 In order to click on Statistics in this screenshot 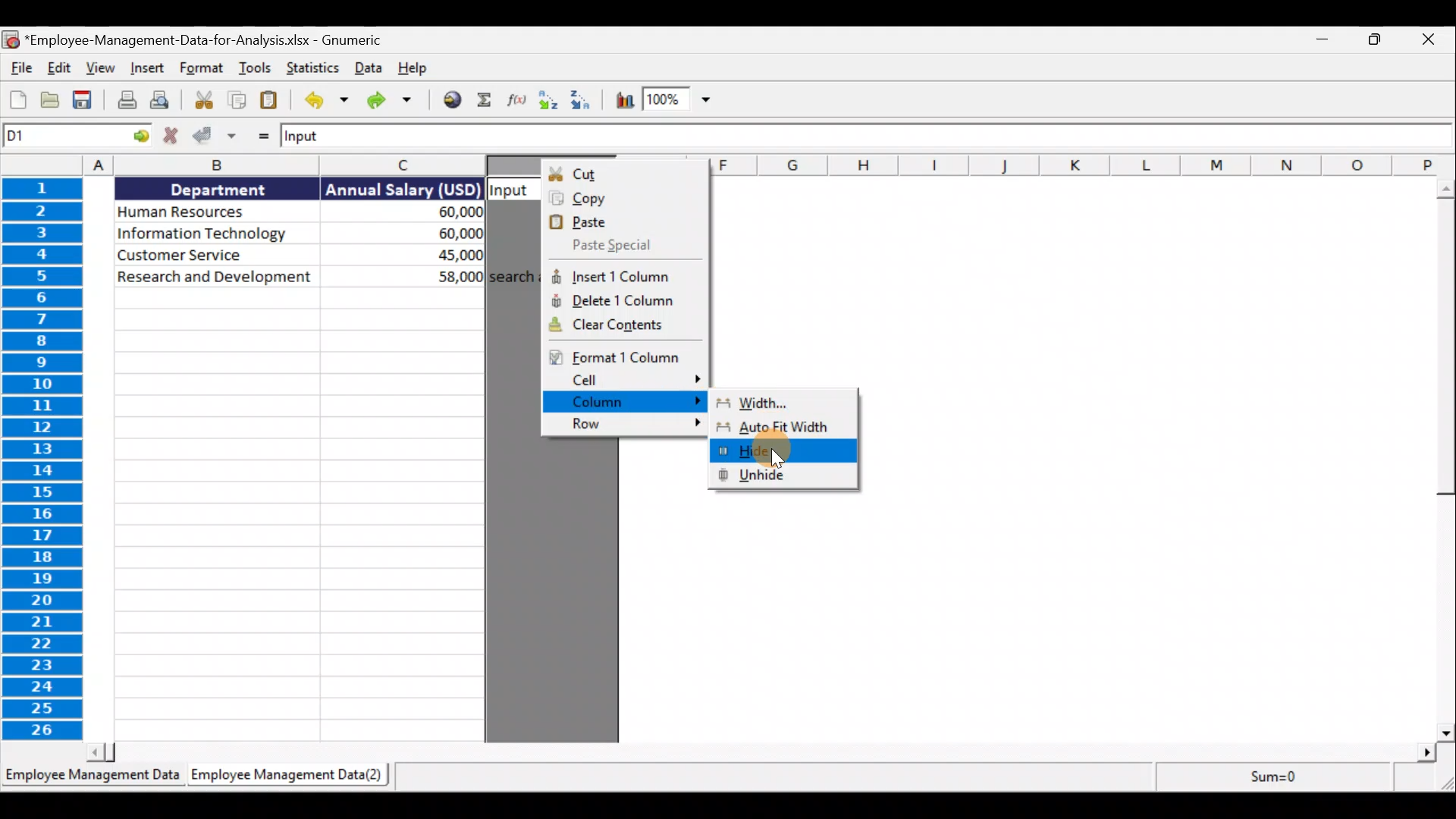, I will do `click(1305, 780)`.